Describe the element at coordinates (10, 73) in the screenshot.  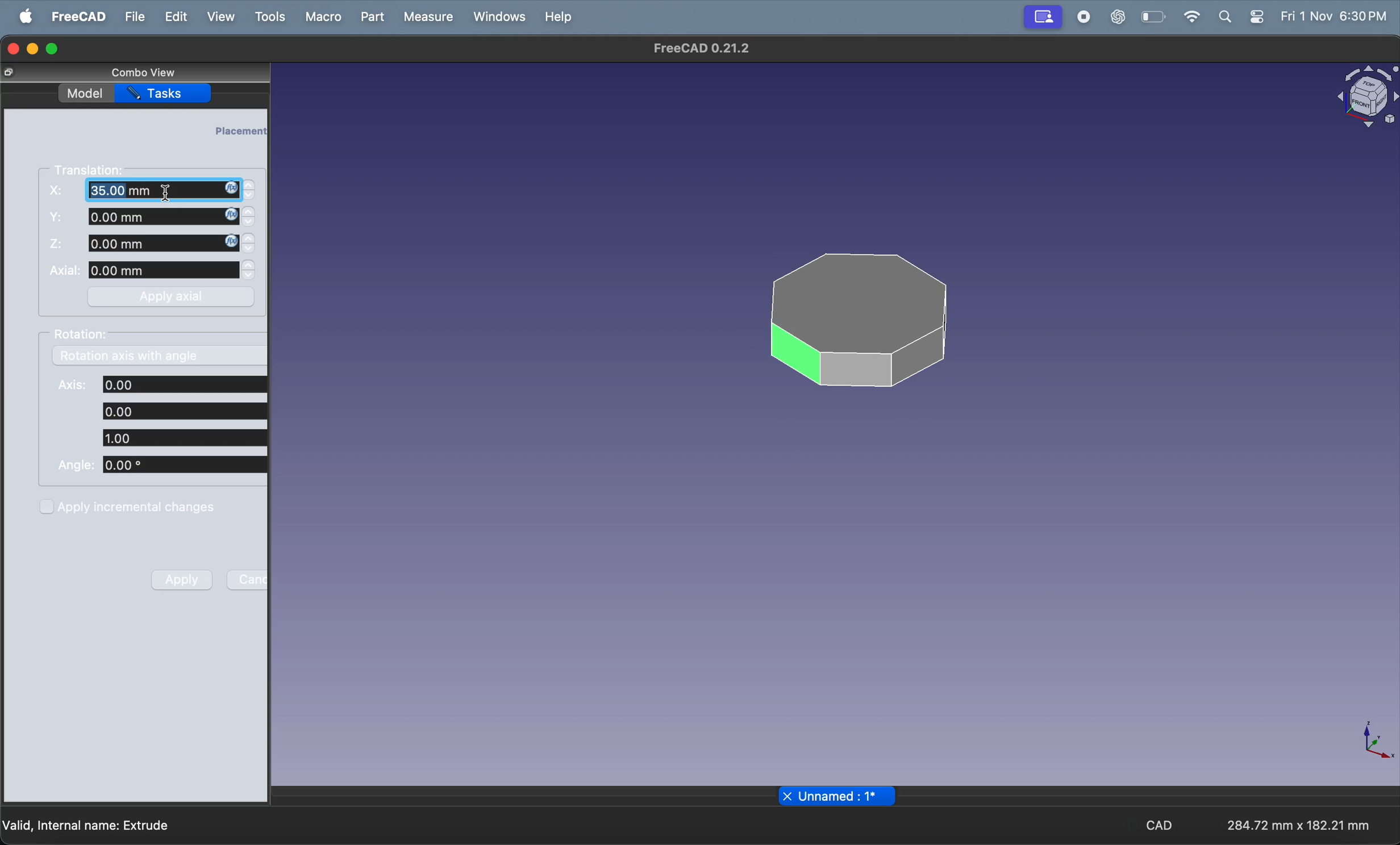
I see `copy` at that location.